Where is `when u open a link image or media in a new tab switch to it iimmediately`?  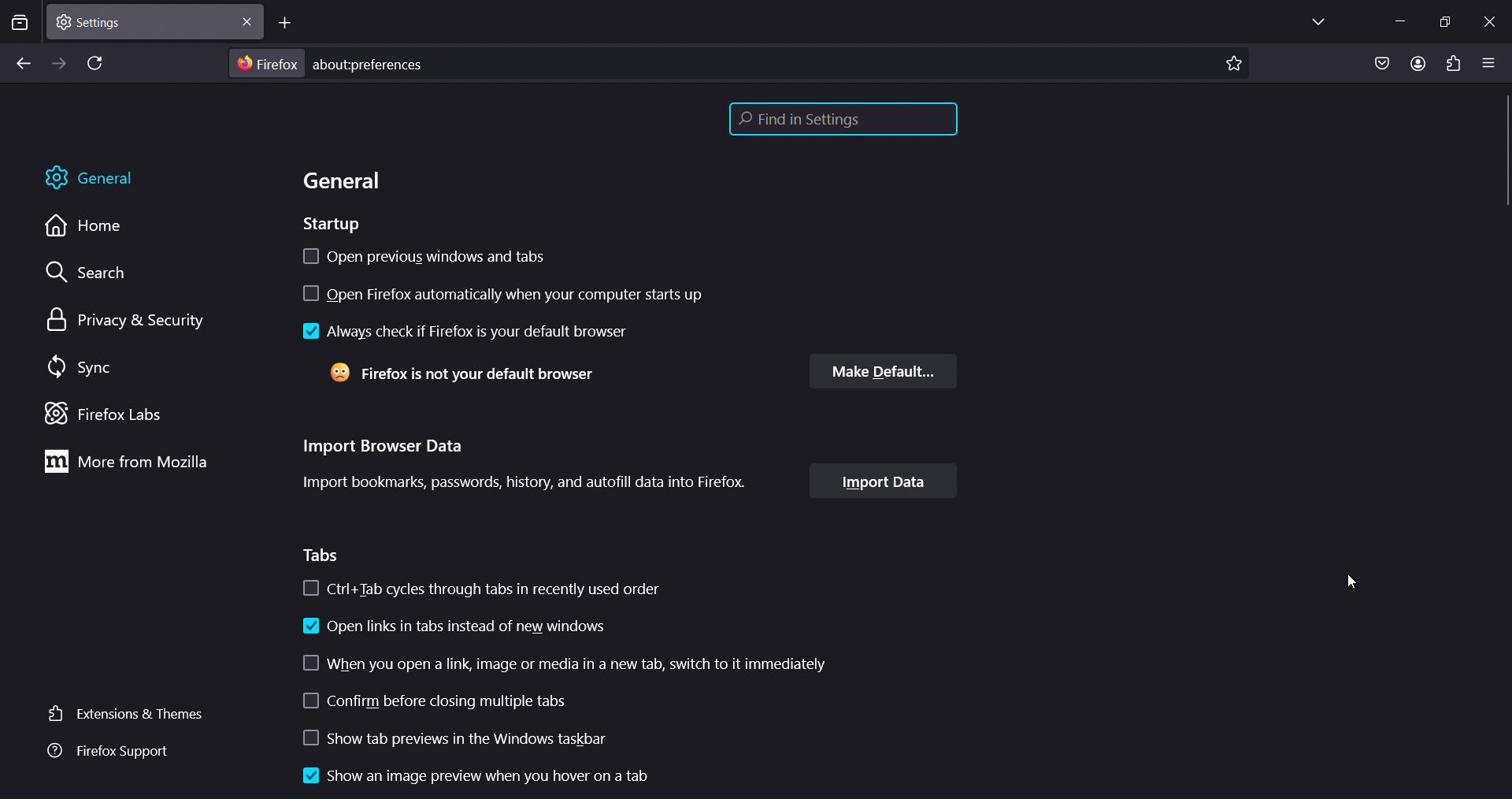 when u open a link image or media in a new tab switch to it iimmediately is located at coordinates (576, 662).